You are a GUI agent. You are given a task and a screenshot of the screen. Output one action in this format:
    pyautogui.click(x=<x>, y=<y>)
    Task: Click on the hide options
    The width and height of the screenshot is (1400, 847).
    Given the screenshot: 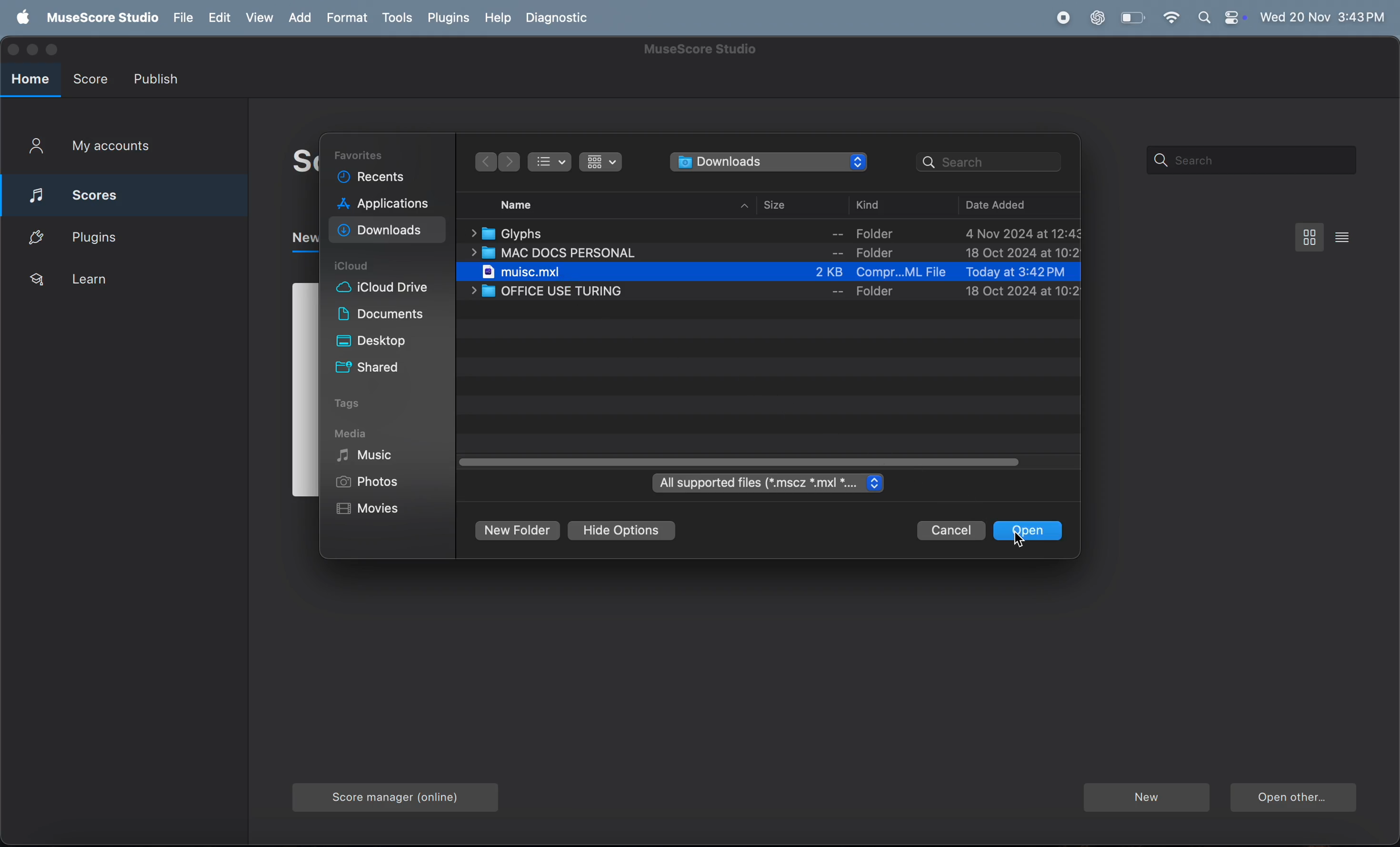 What is the action you would take?
    pyautogui.click(x=622, y=532)
    